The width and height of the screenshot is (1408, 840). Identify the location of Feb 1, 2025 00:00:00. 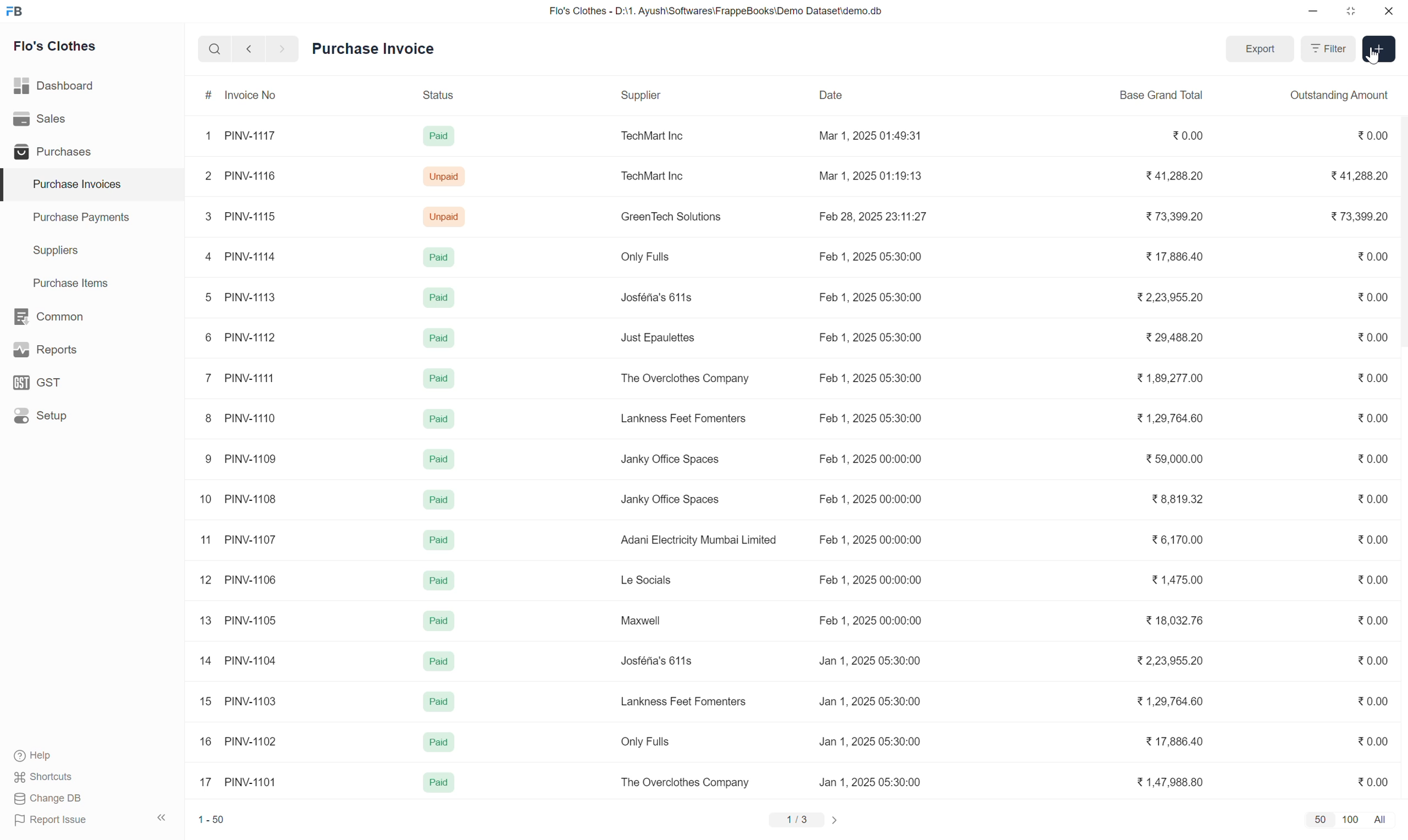
(870, 579).